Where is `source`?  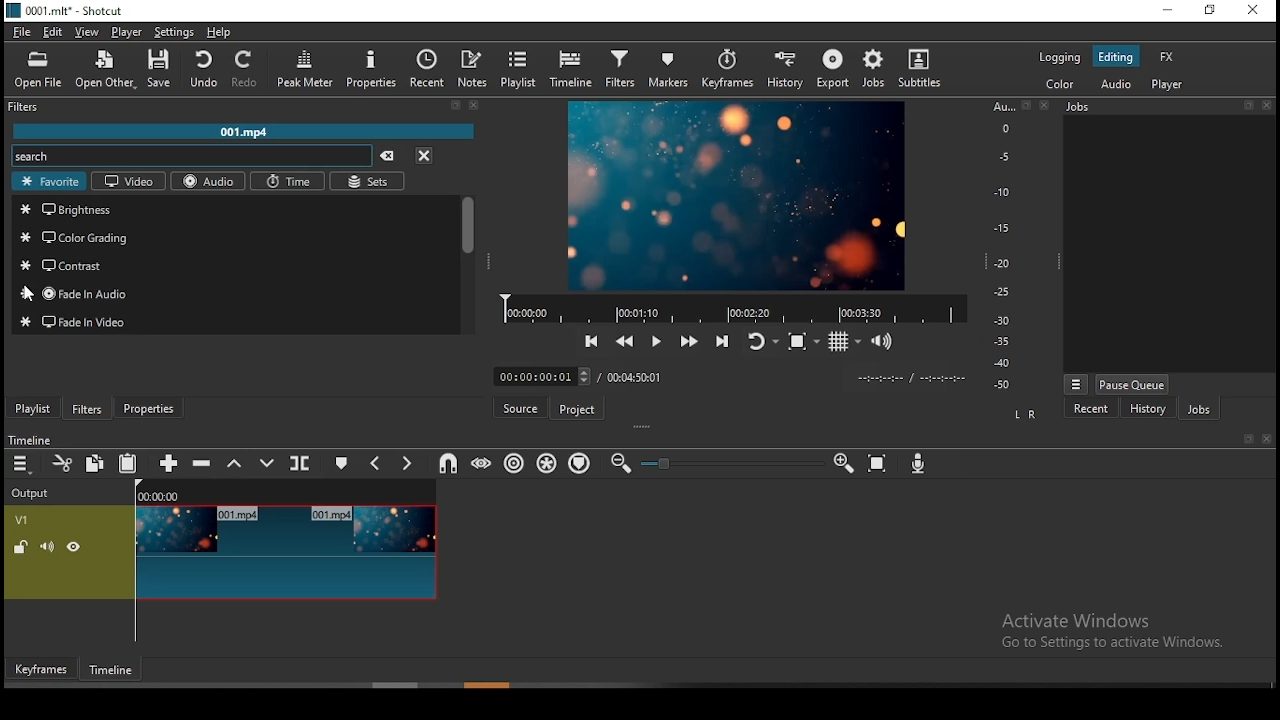
source is located at coordinates (519, 406).